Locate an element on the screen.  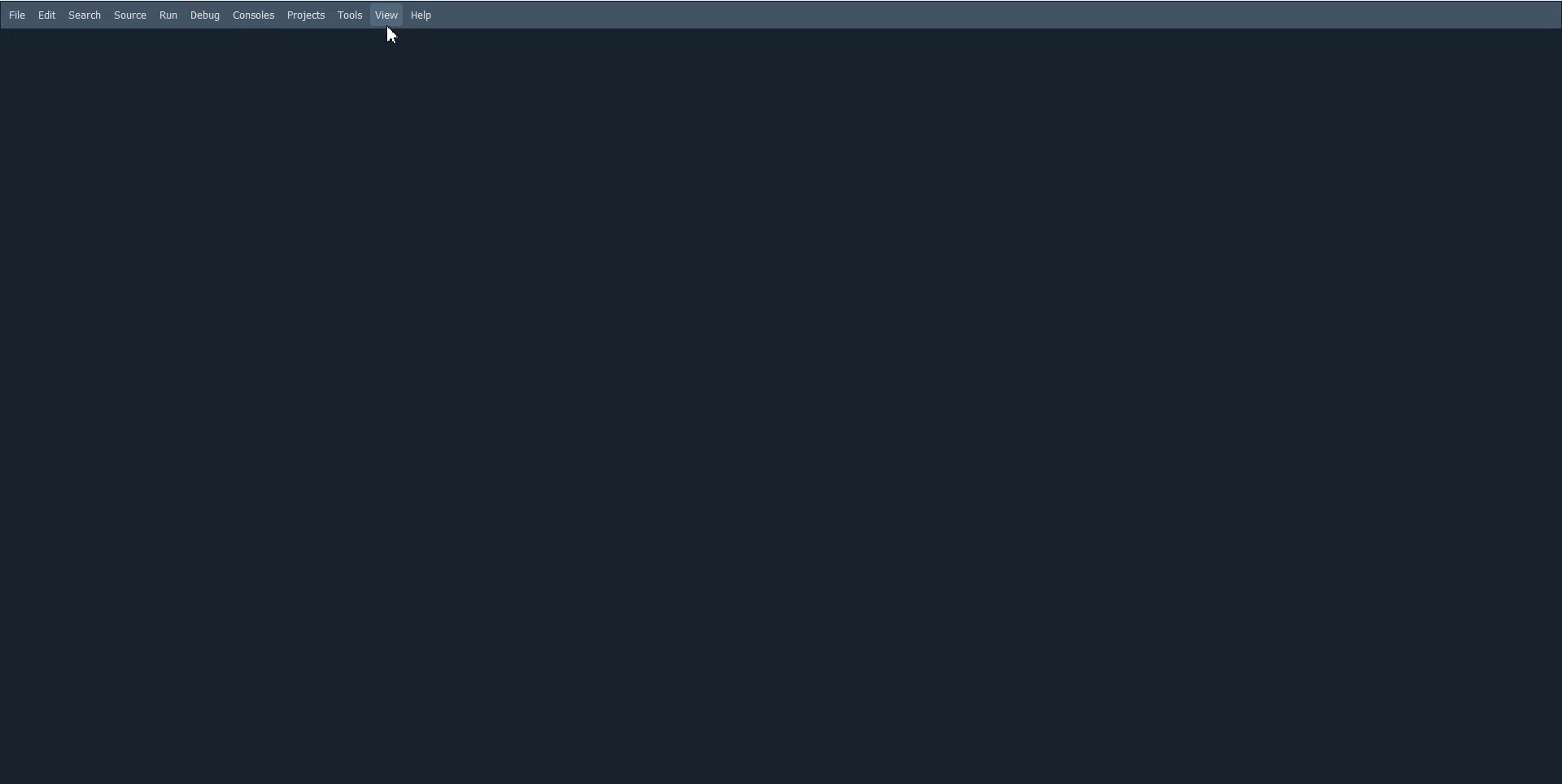
Cursor is located at coordinates (394, 36).